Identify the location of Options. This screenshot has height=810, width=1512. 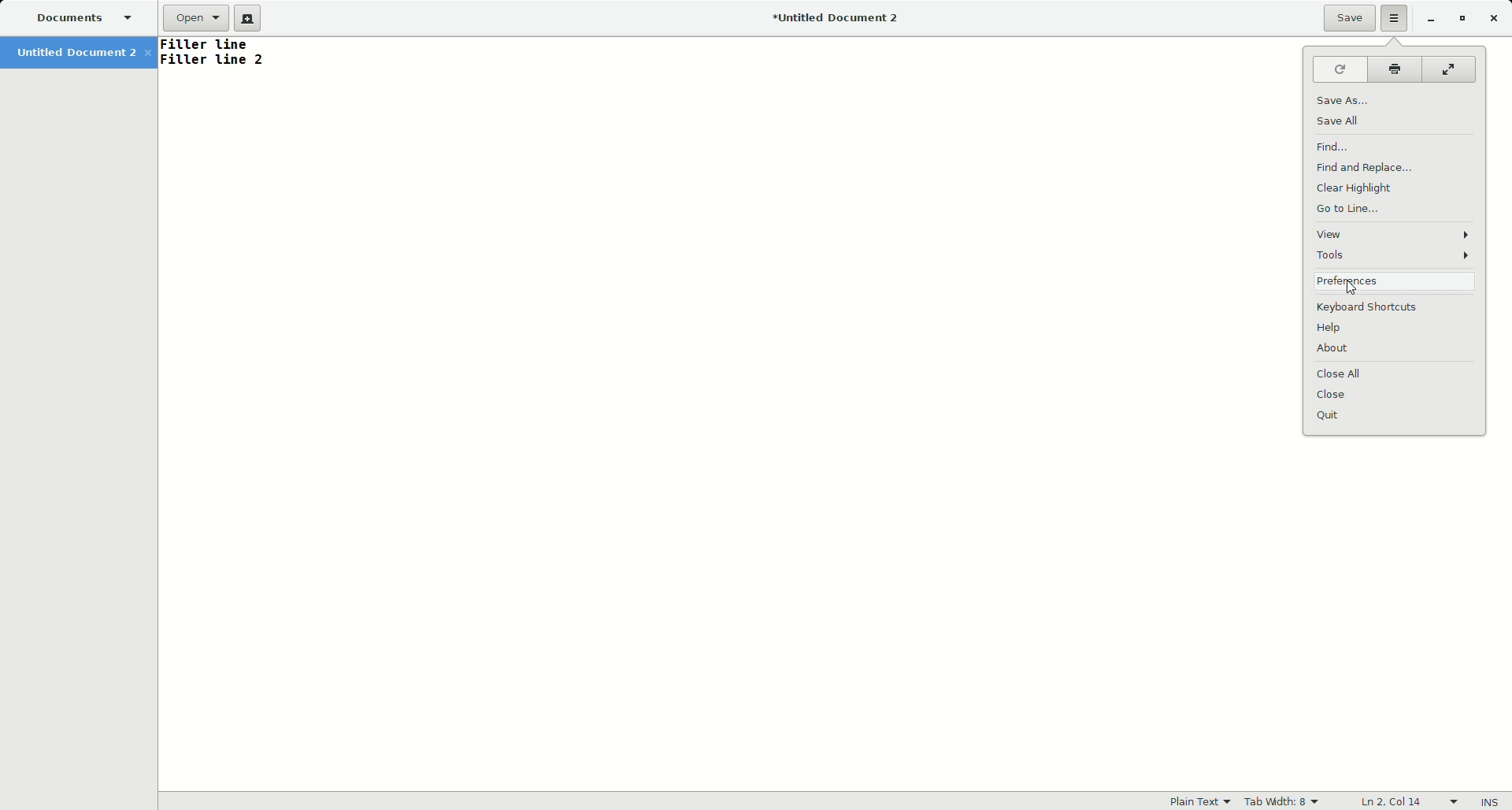
(1395, 19).